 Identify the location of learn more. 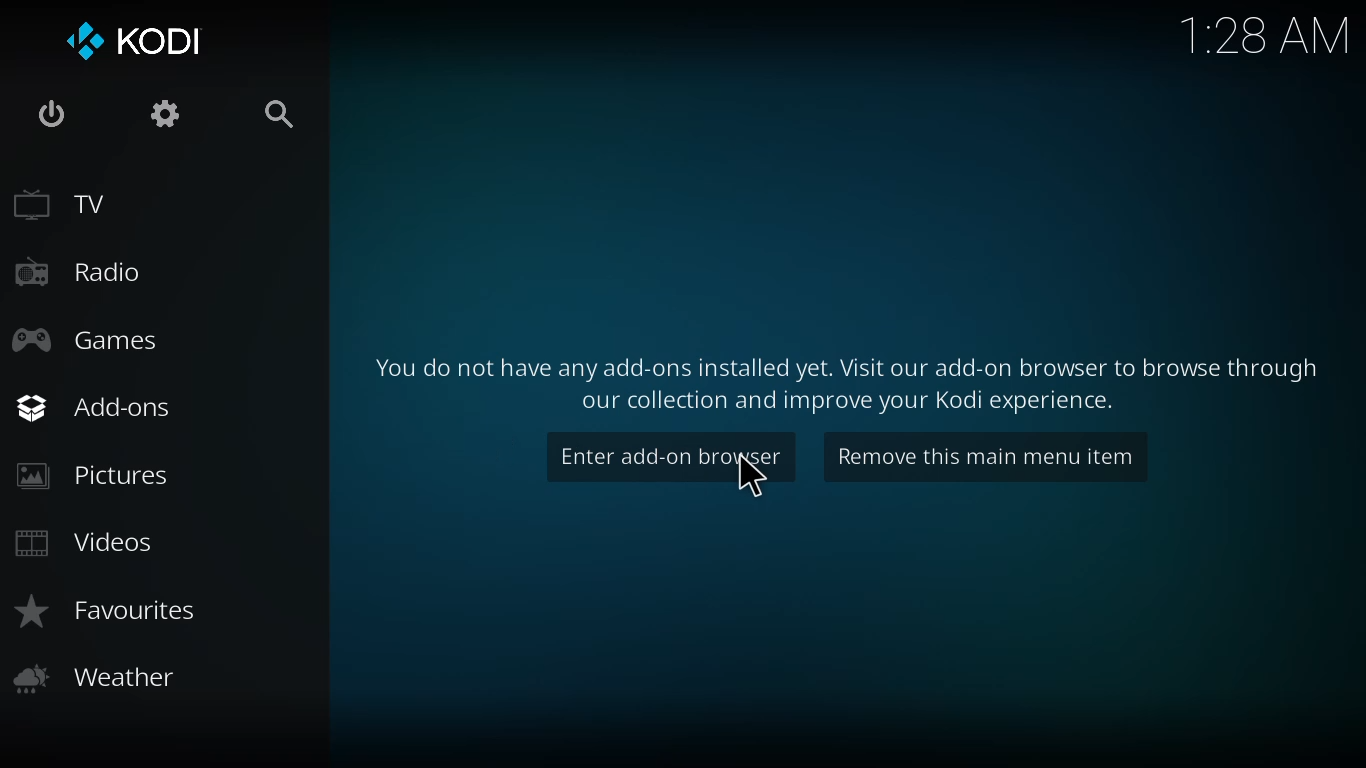
(851, 377).